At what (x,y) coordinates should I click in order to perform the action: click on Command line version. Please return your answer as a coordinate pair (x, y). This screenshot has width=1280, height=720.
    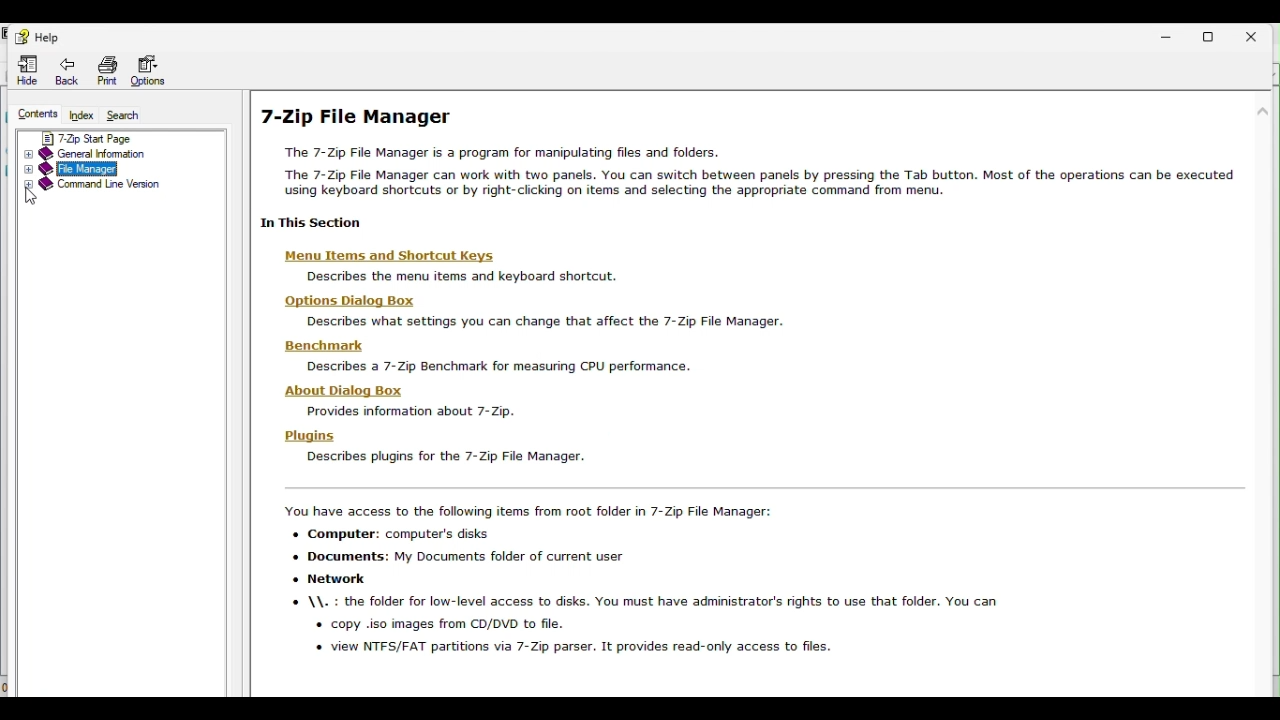
    Looking at the image, I should click on (97, 191).